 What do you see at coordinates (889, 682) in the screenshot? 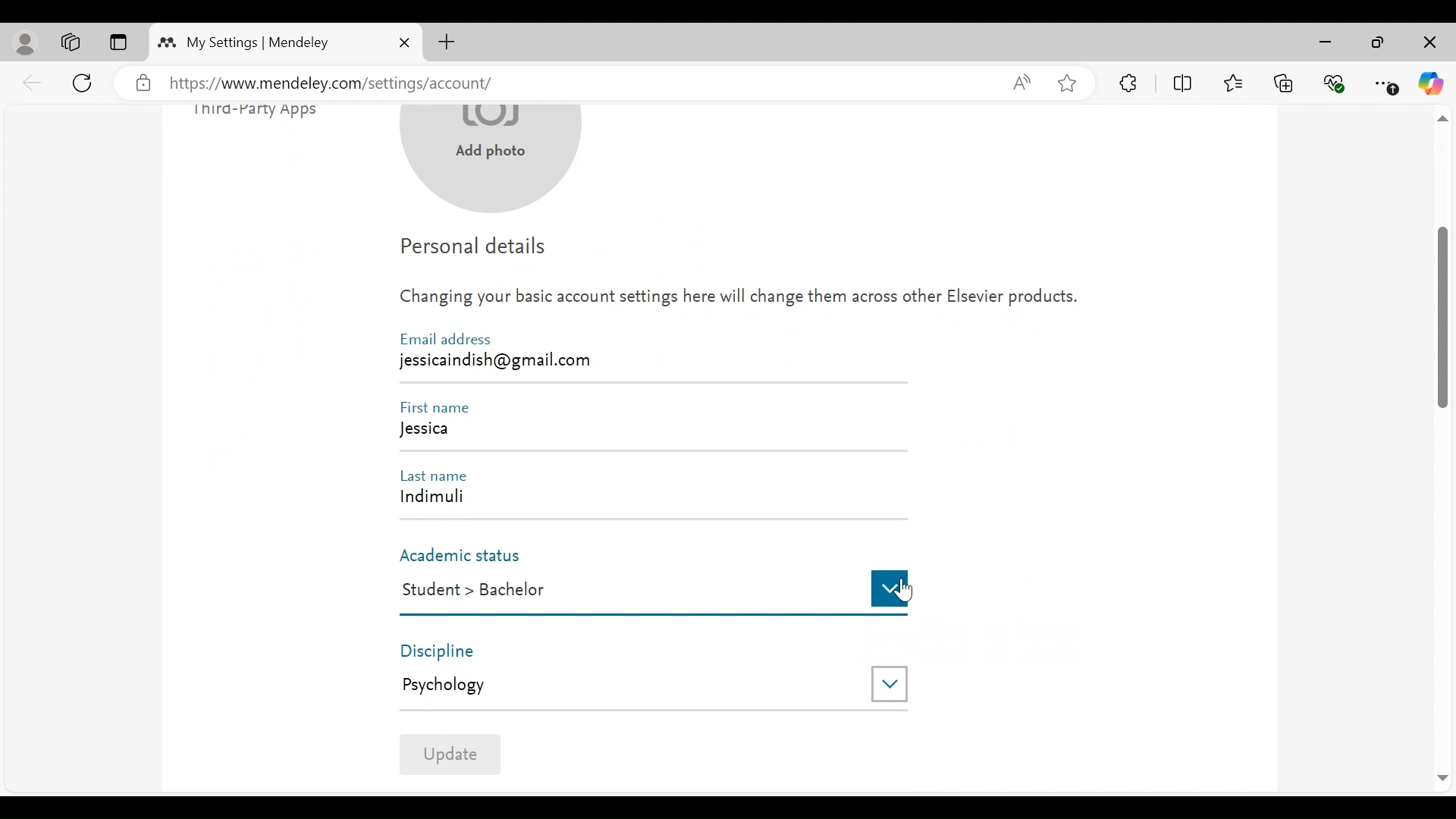
I see `Drop down` at bounding box center [889, 682].